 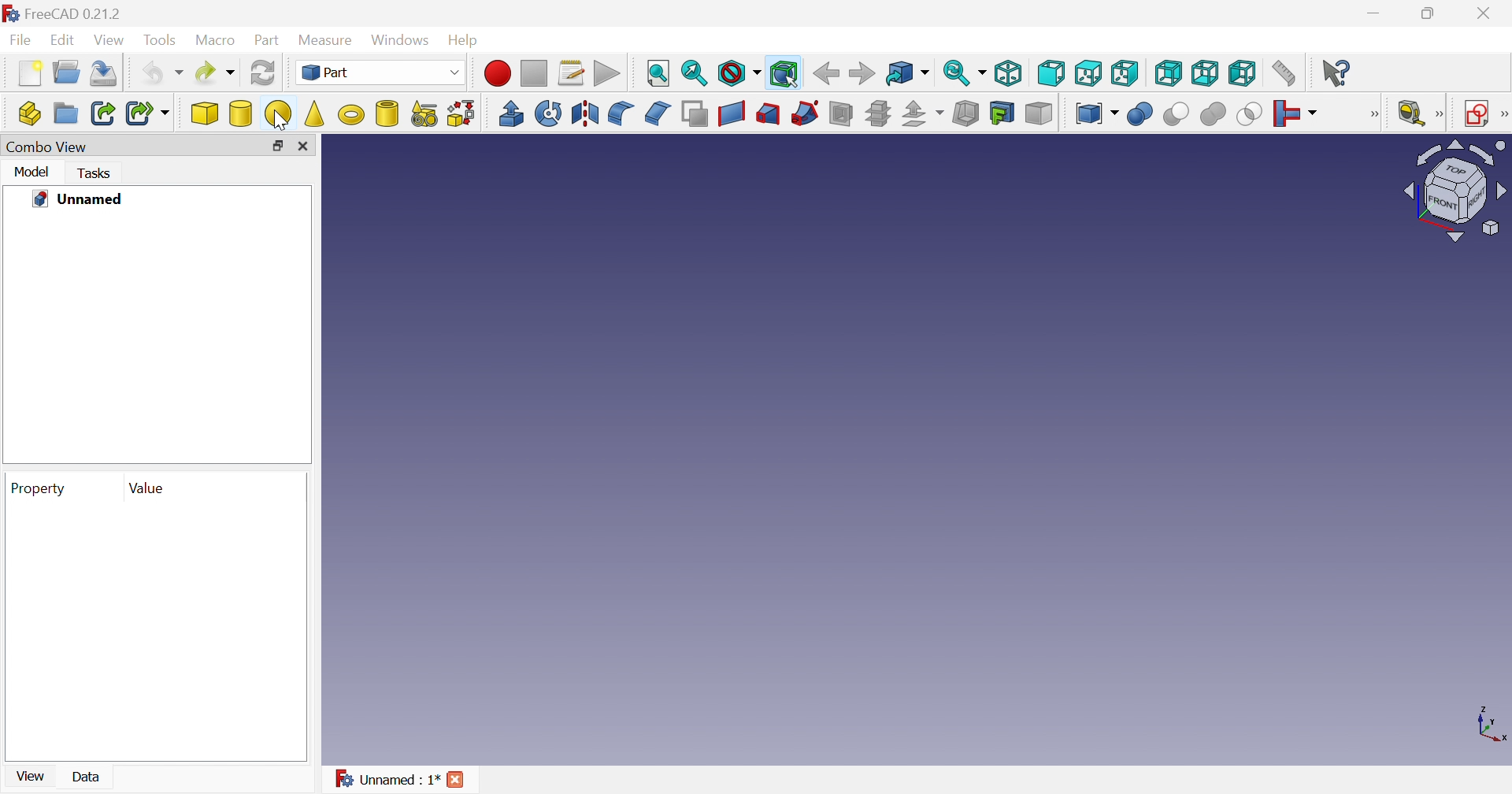 I want to click on Cube, so click(x=205, y=113).